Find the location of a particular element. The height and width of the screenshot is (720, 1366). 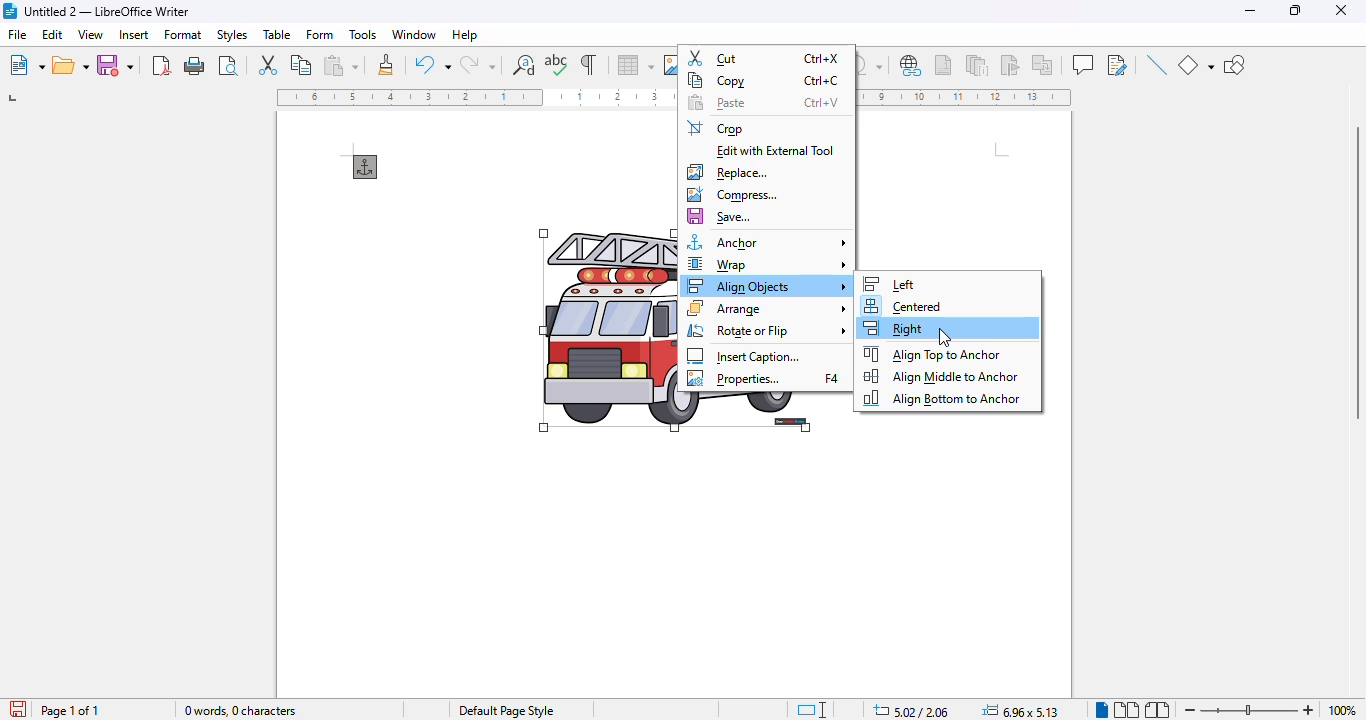

insert endnote is located at coordinates (978, 64).